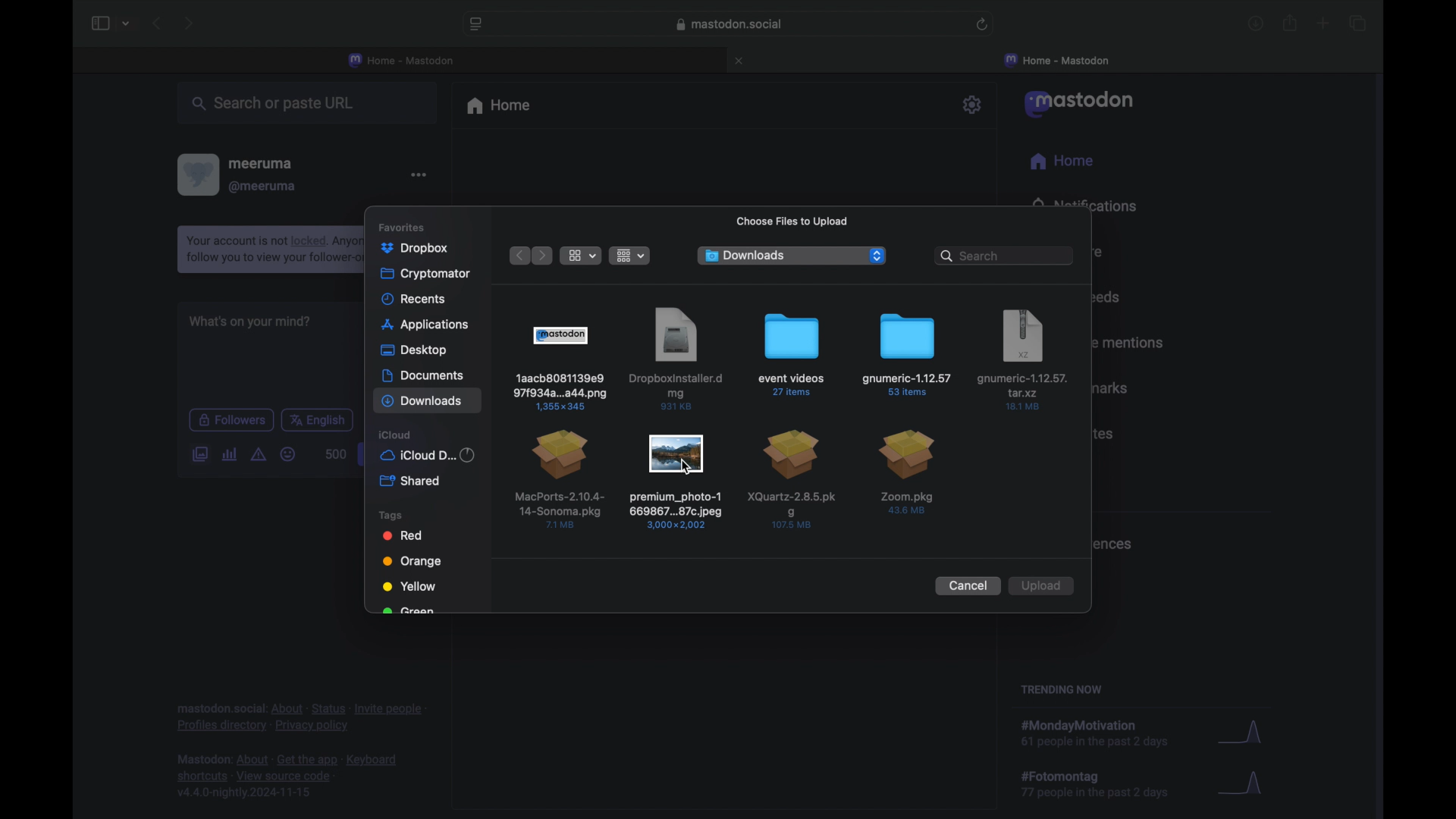 The height and width of the screenshot is (819, 1456). Describe the element at coordinates (1061, 161) in the screenshot. I see `home` at that location.